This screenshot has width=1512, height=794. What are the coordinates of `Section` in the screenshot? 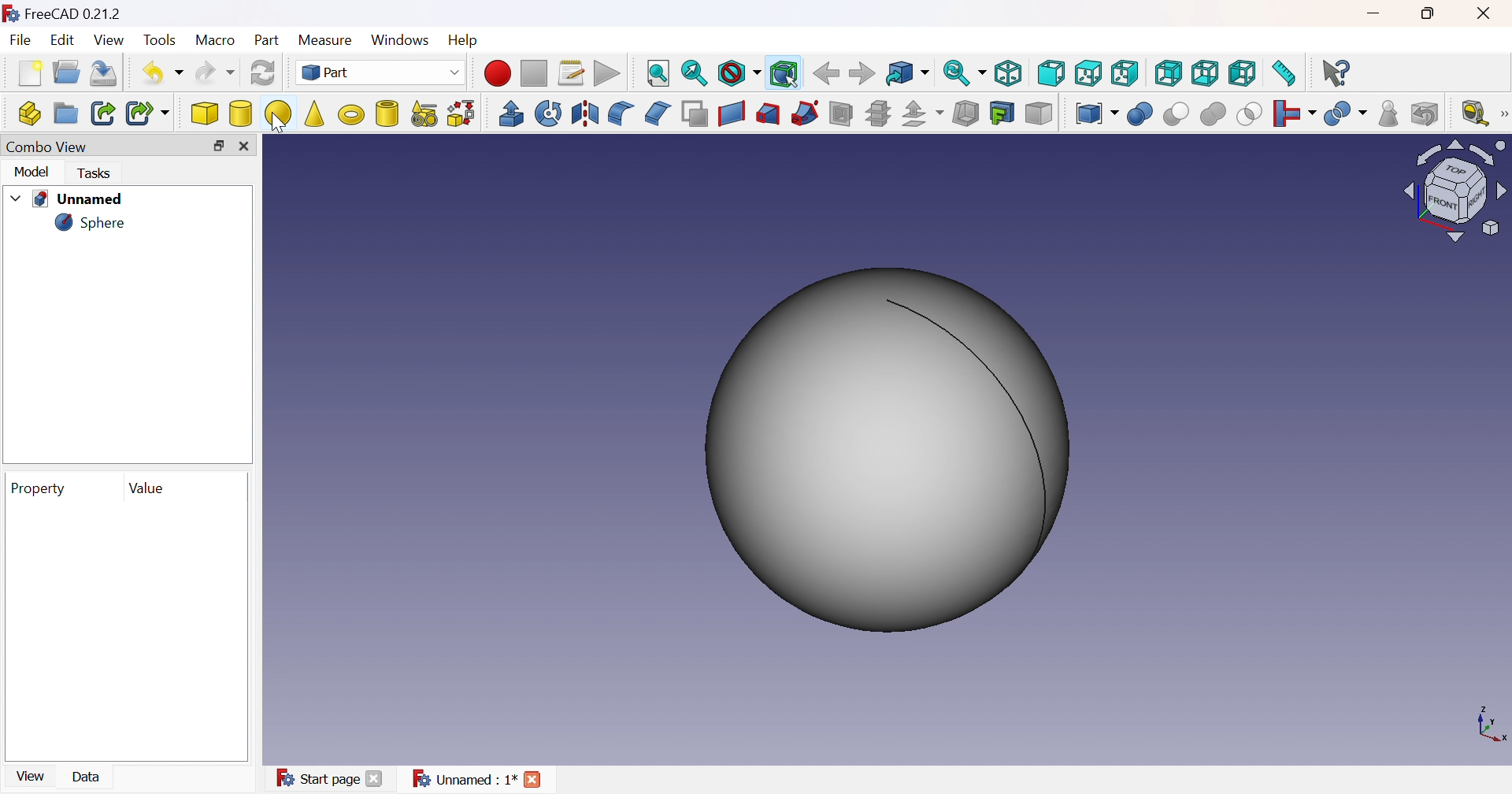 It's located at (840, 114).